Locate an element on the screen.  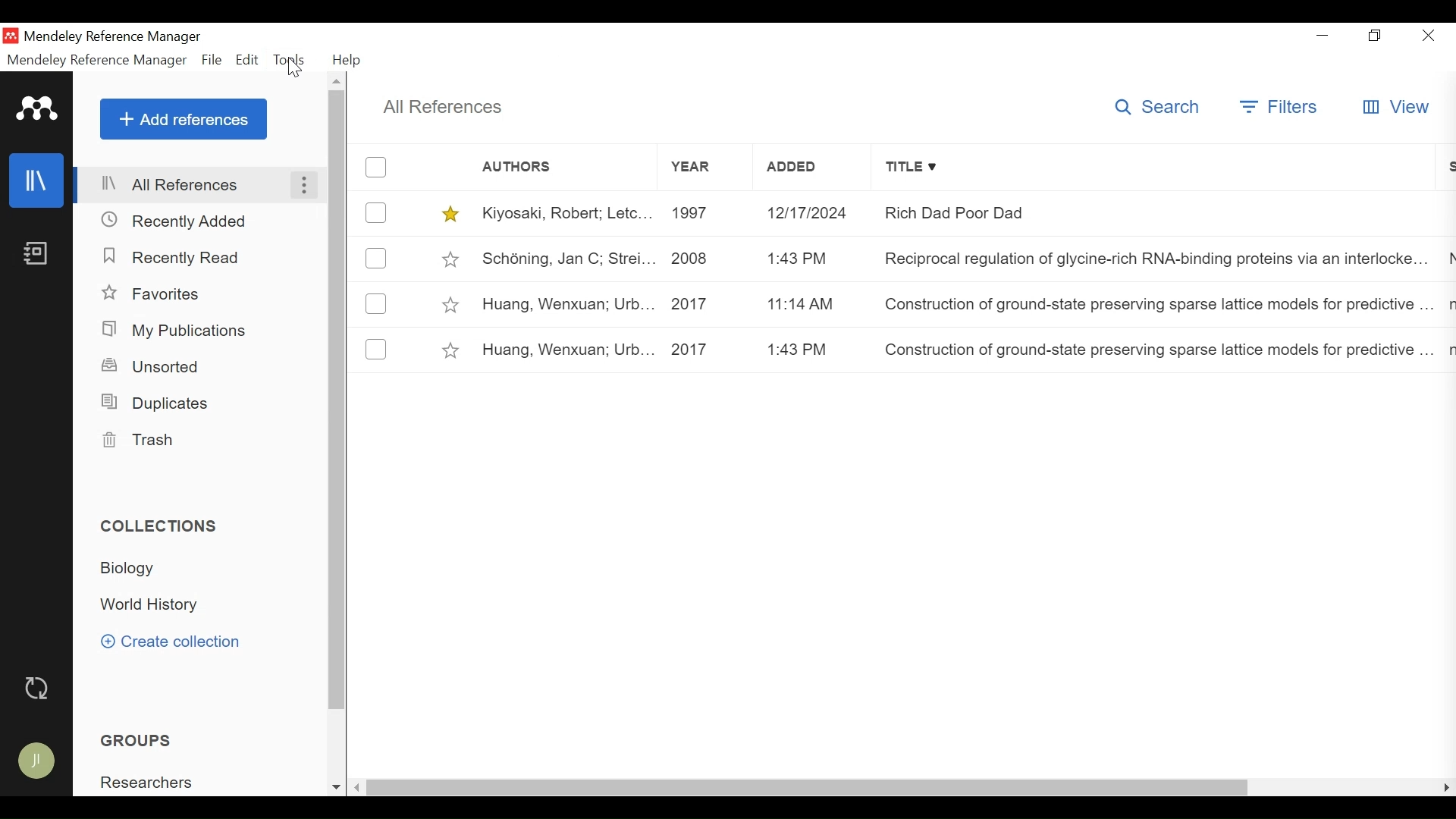
Duplicates is located at coordinates (156, 402).